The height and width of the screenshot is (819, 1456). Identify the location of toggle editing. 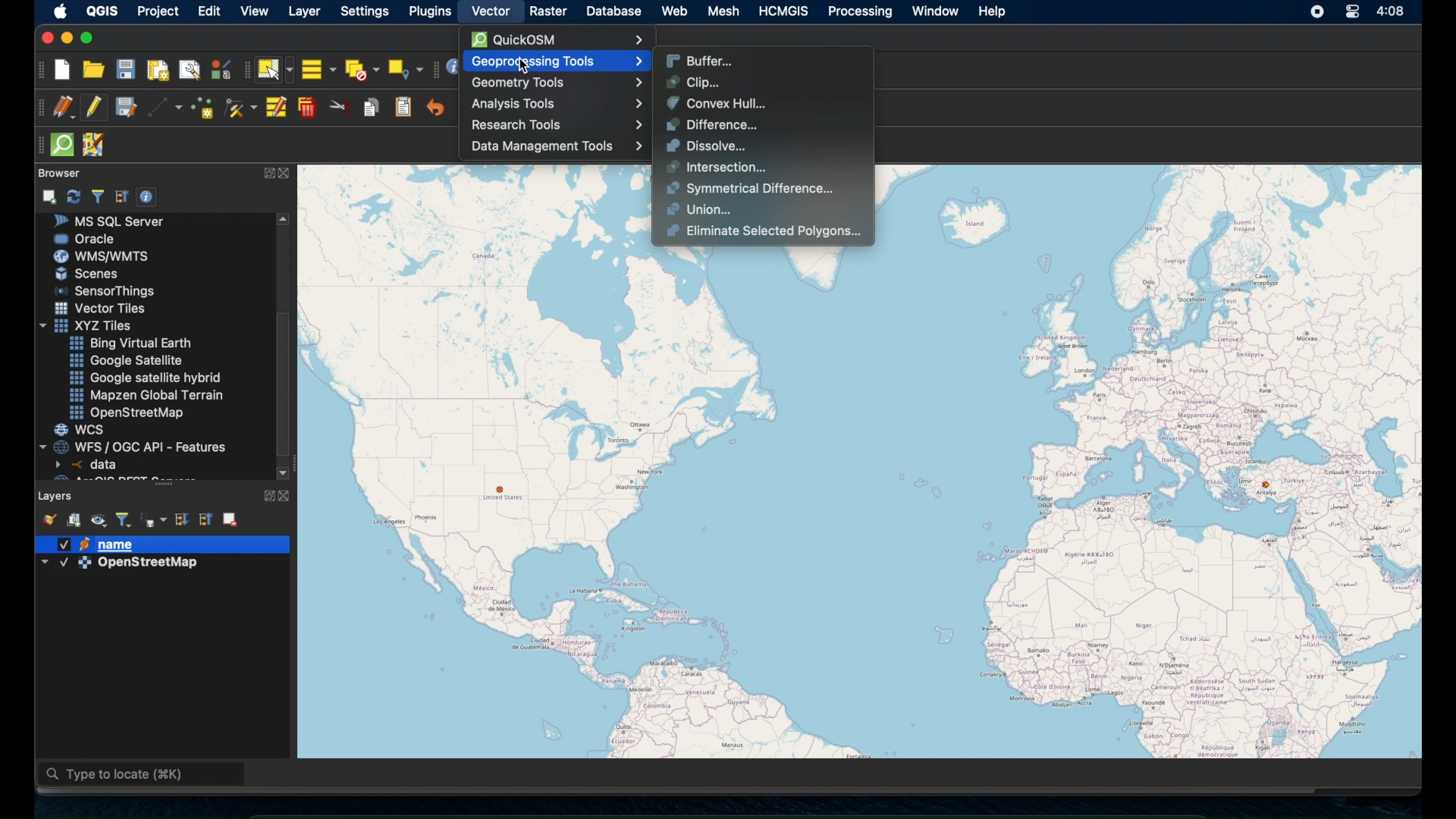
(93, 107).